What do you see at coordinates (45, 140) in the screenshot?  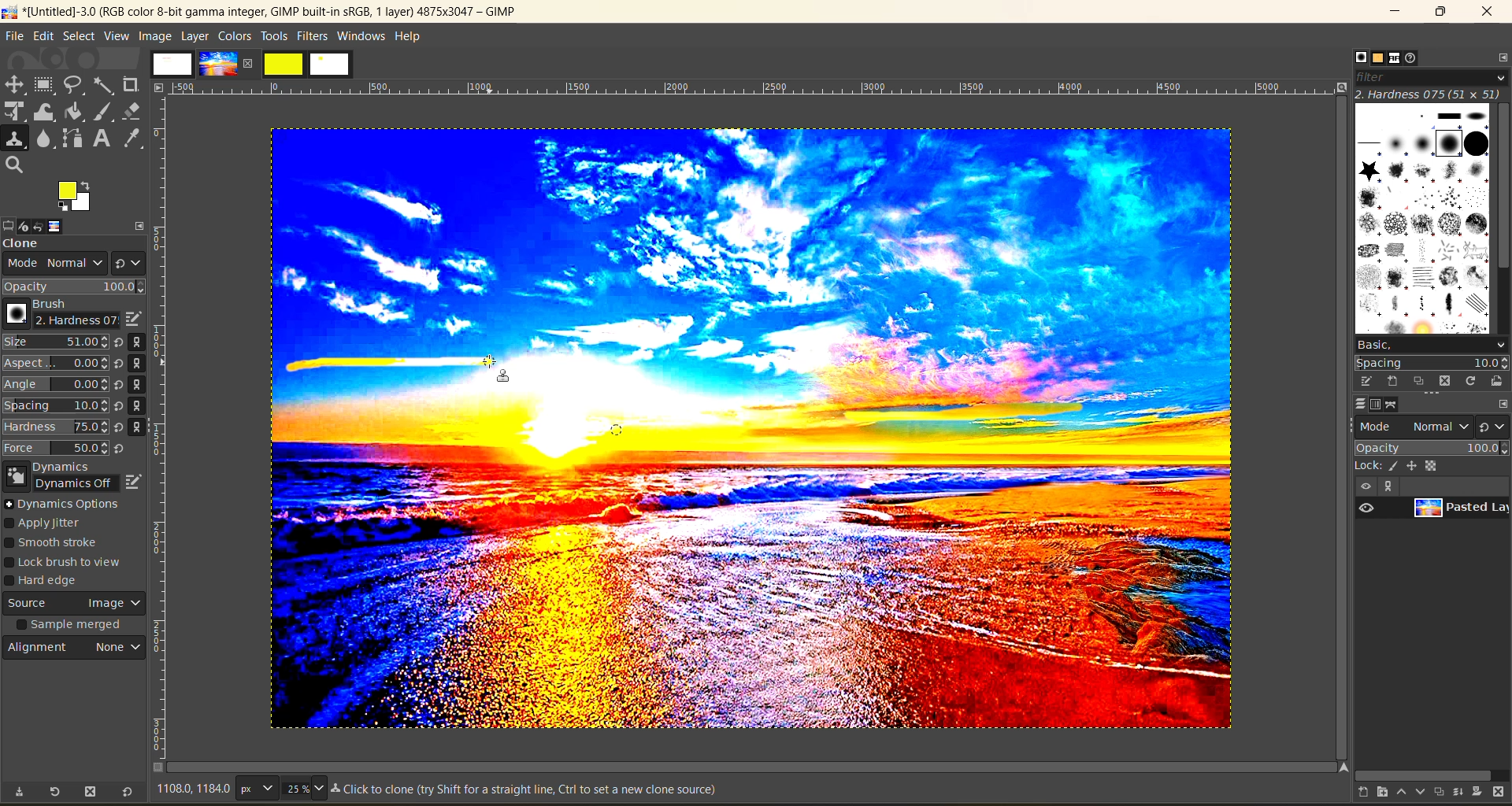 I see `smdge tool` at bounding box center [45, 140].